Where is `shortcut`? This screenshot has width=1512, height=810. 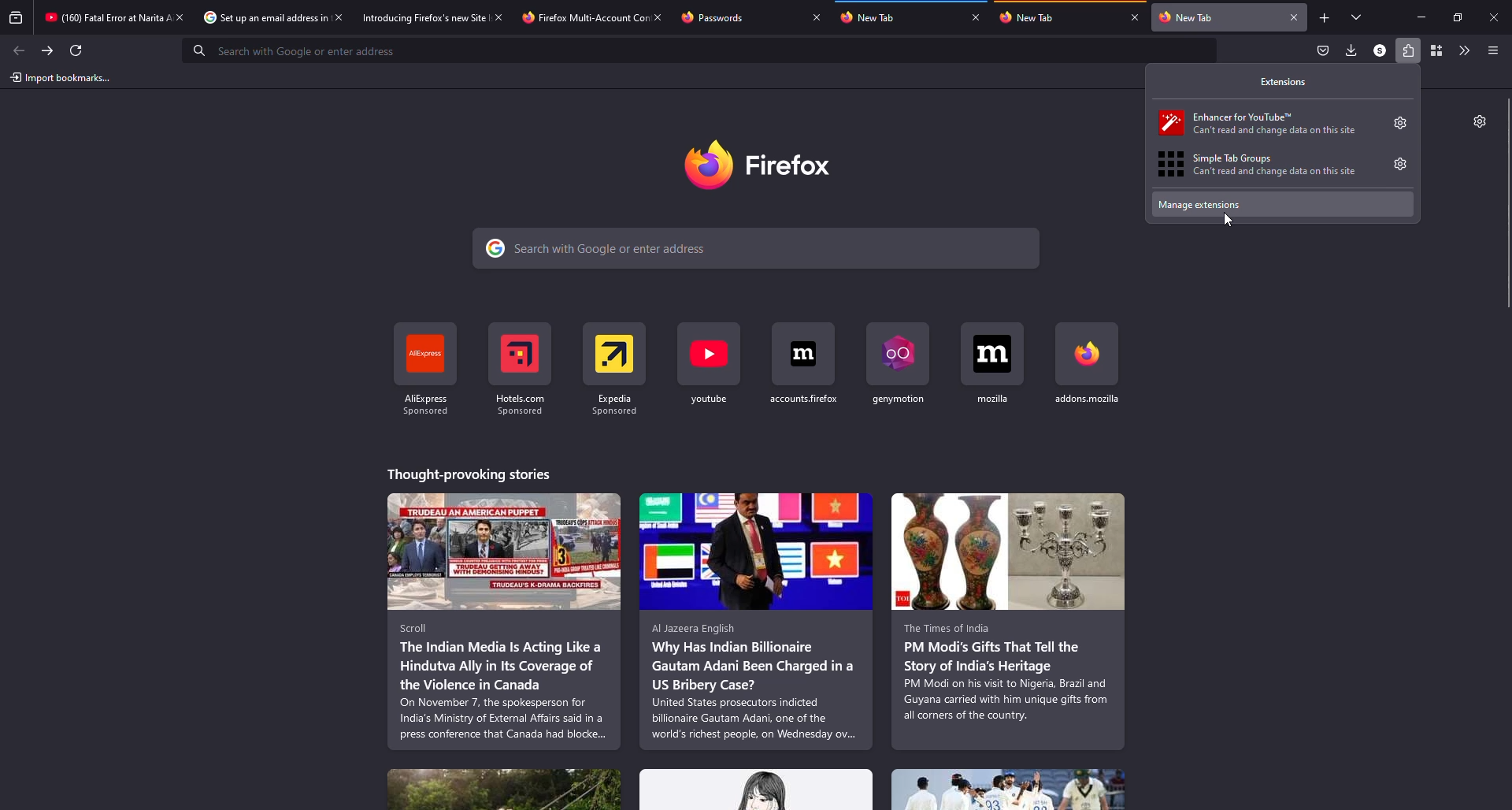 shortcut is located at coordinates (428, 372).